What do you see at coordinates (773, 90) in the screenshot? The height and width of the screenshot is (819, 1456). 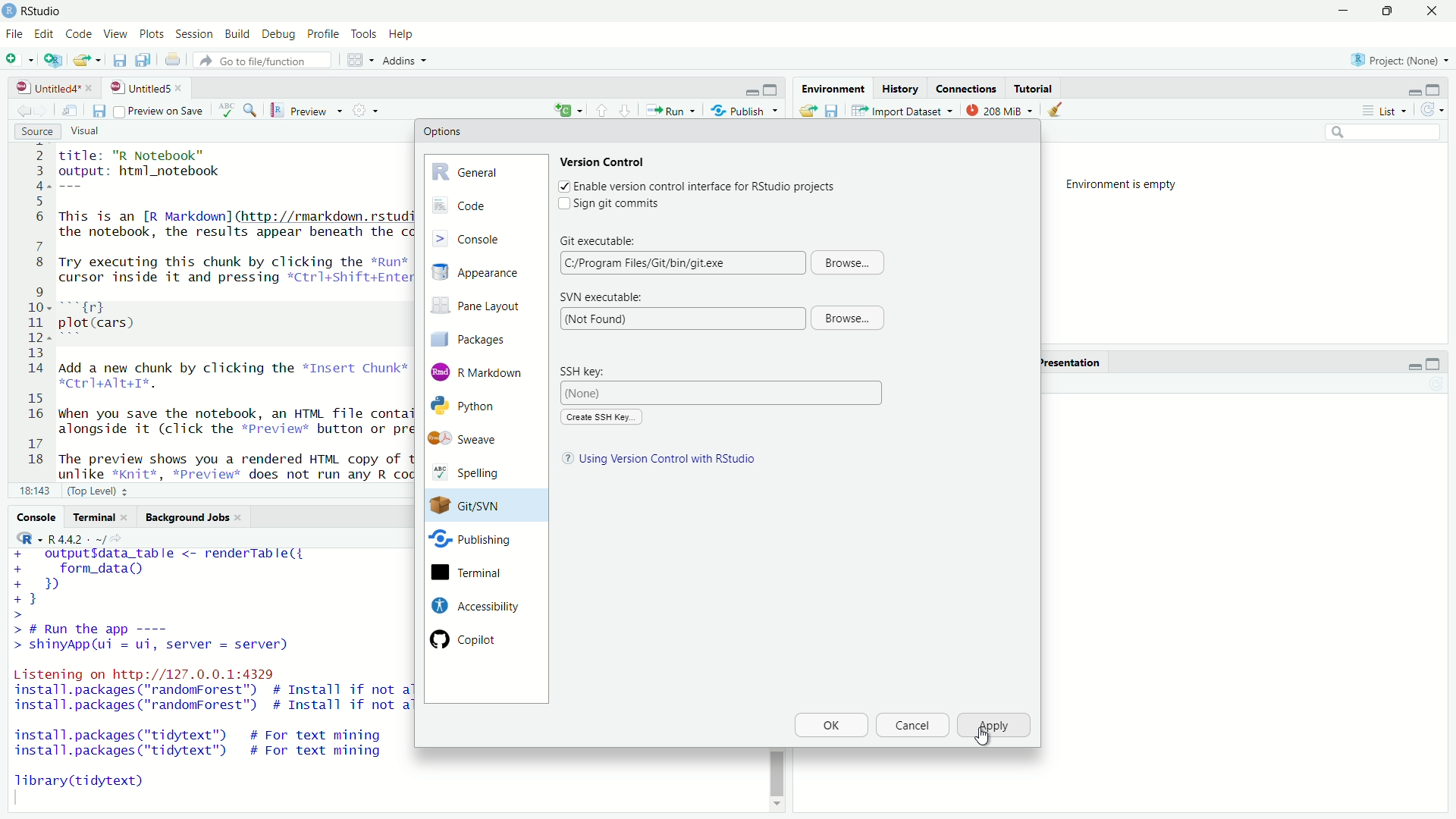 I see `maximize` at bounding box center [773, 90].